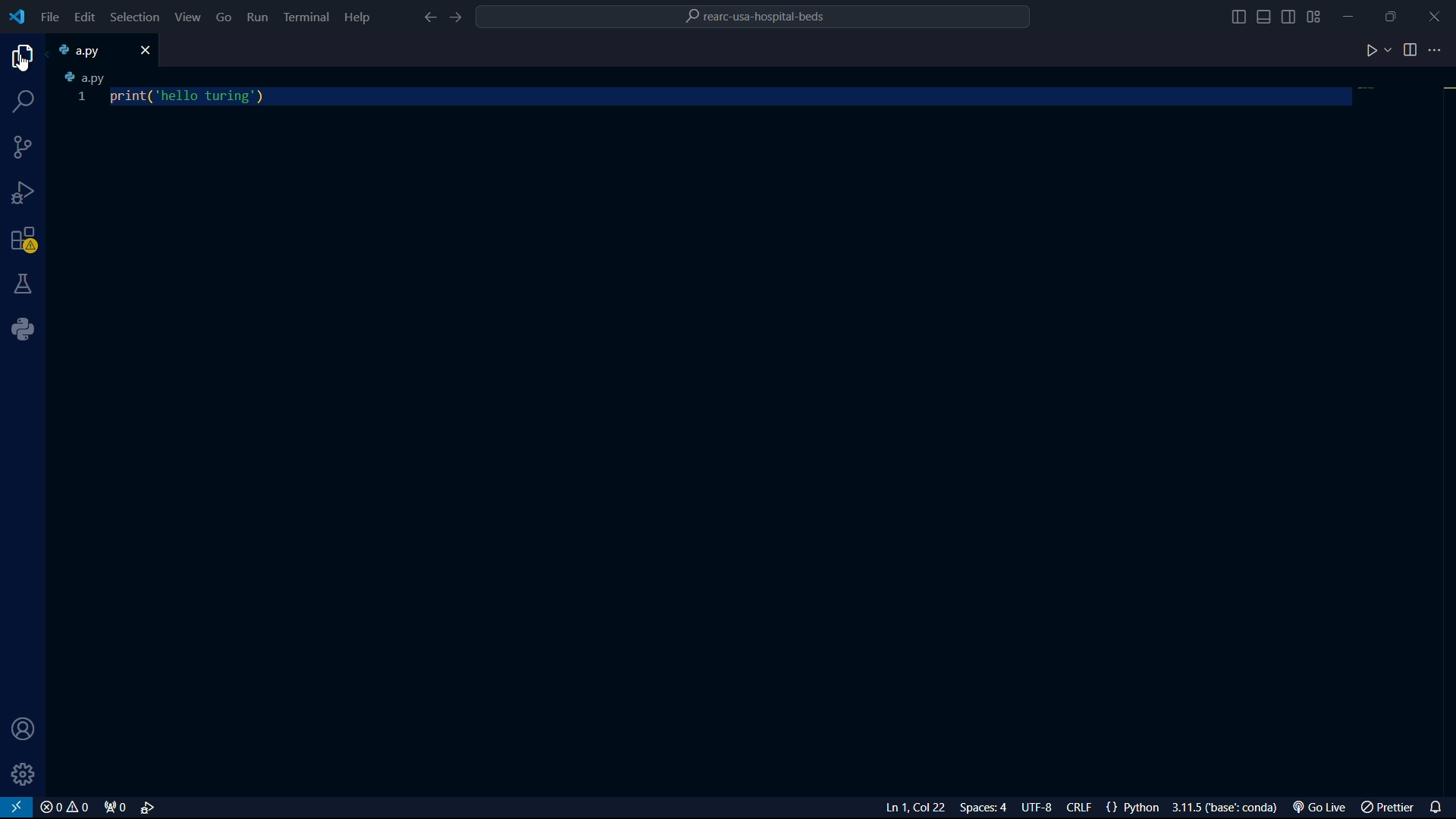 This screenshot has height=819, width=1456. I want to click on go back, so click(427, 17).